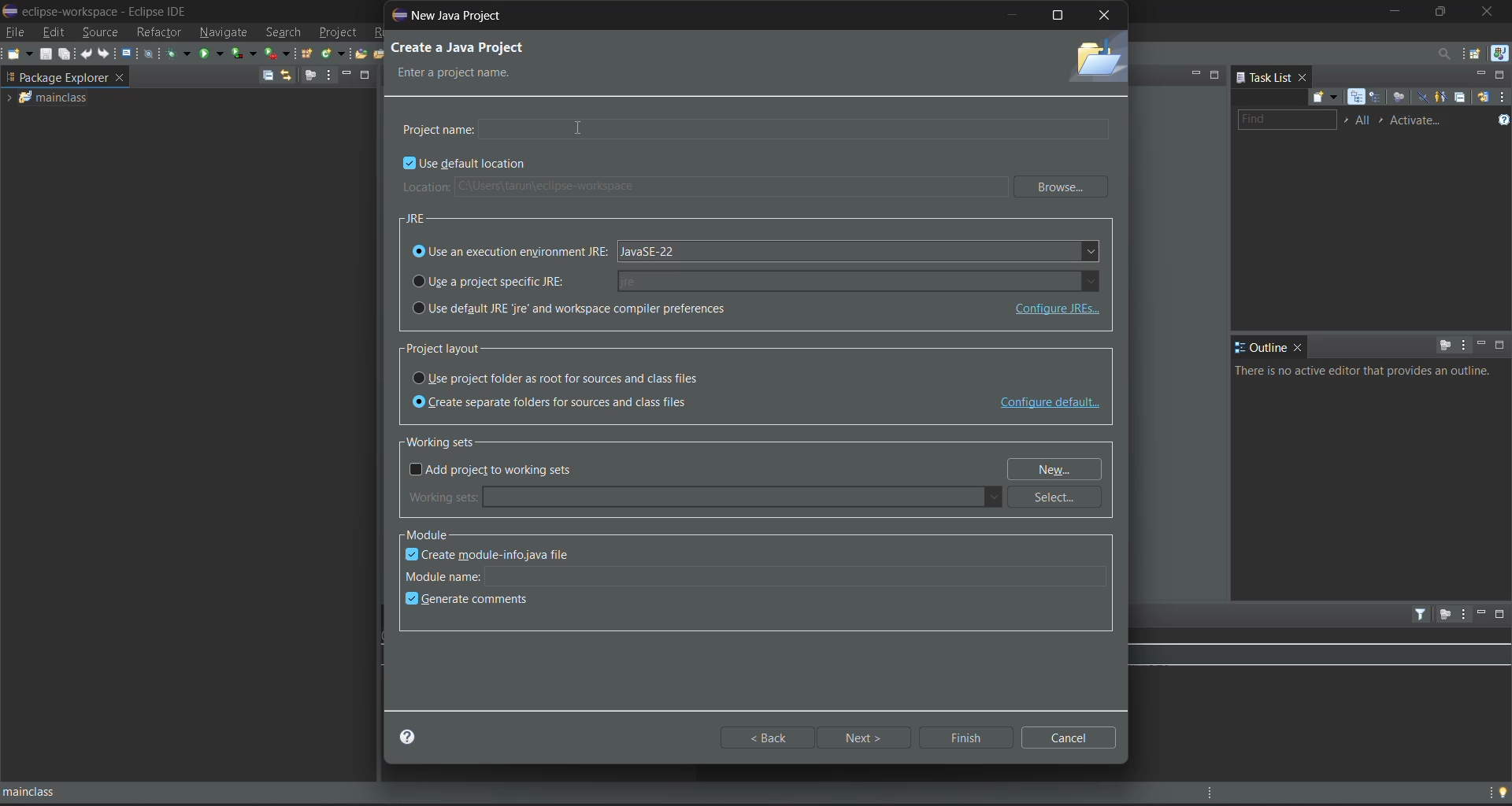  Describe the element at coordinates (308, 54) in the screenshot. I see `new java package` at that location.